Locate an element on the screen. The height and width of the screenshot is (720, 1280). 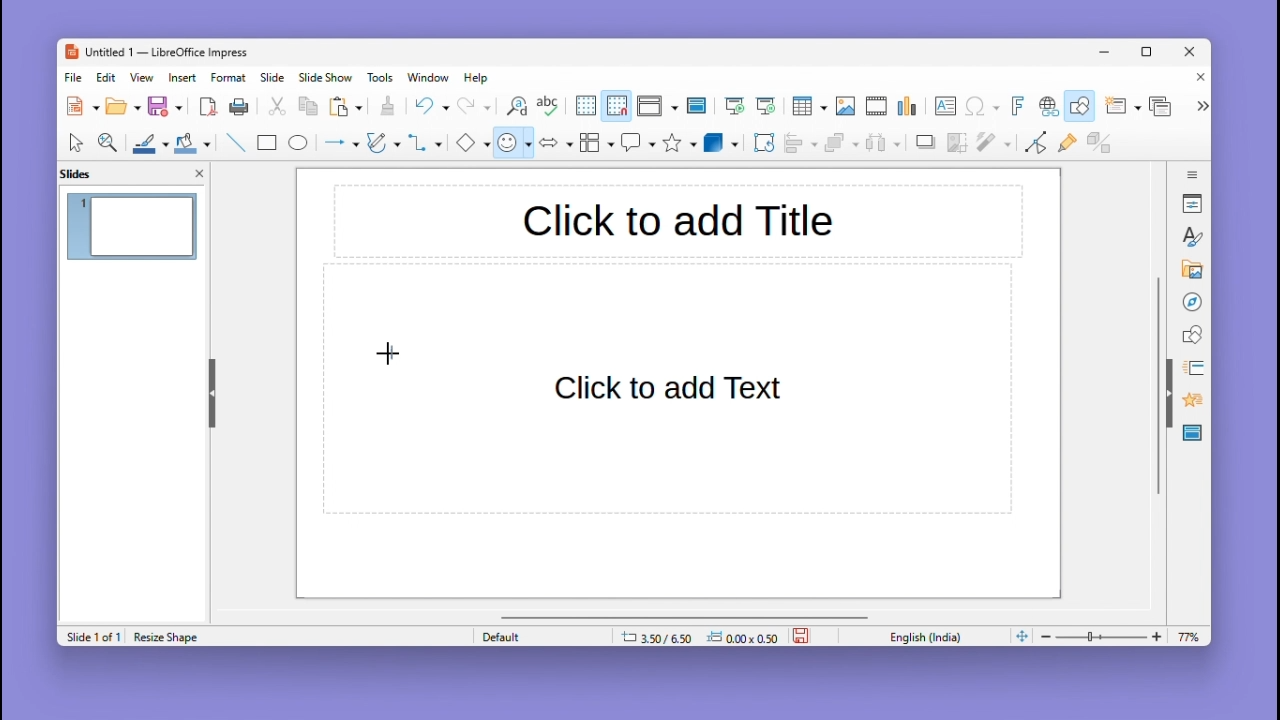
Masters slide is located at coordinates (1193, 434).